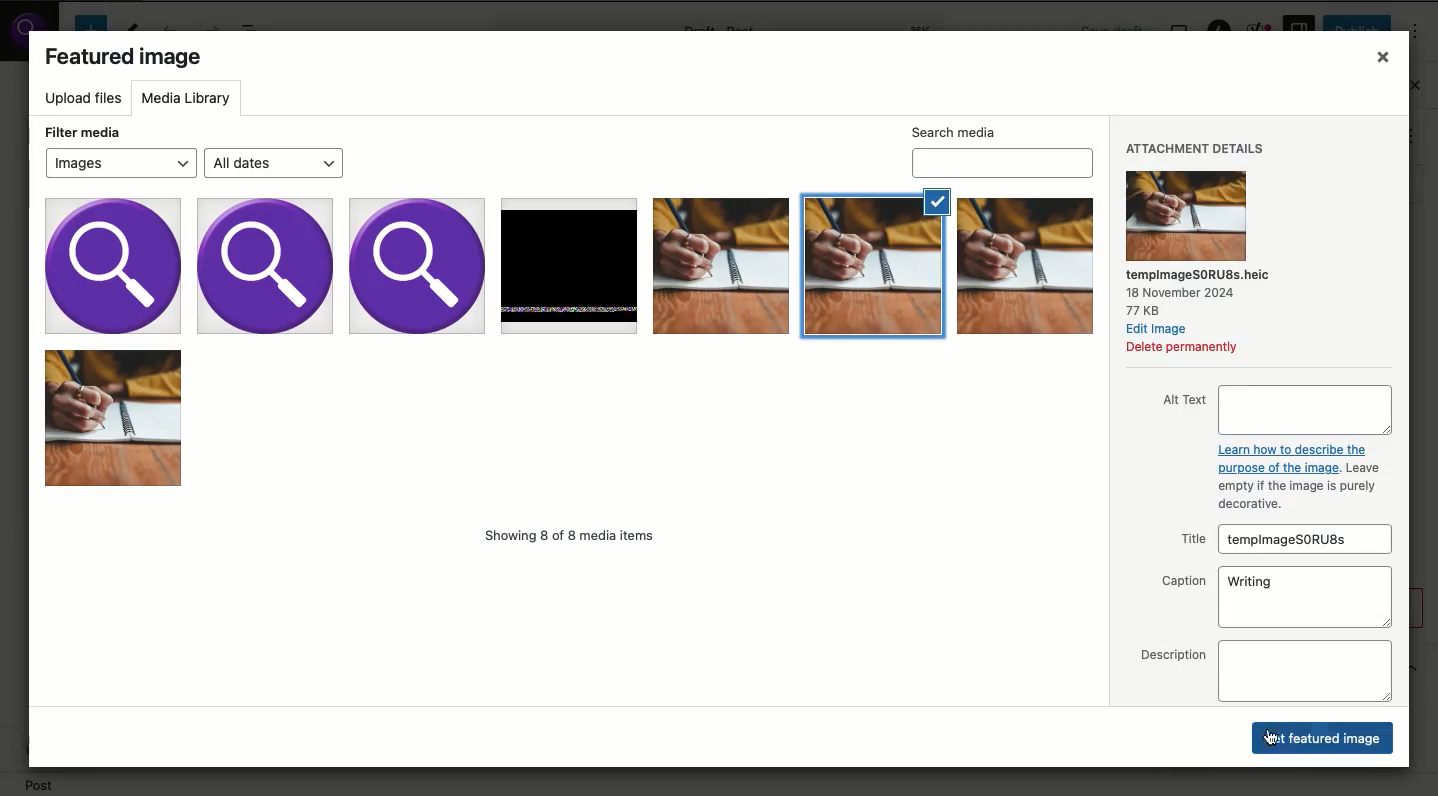 The height and width of the screenshot is (796, 1438). What do you see at coordinates (1143, 310) in the screenshot?
I see `size` at bounding box center [1143, 310].